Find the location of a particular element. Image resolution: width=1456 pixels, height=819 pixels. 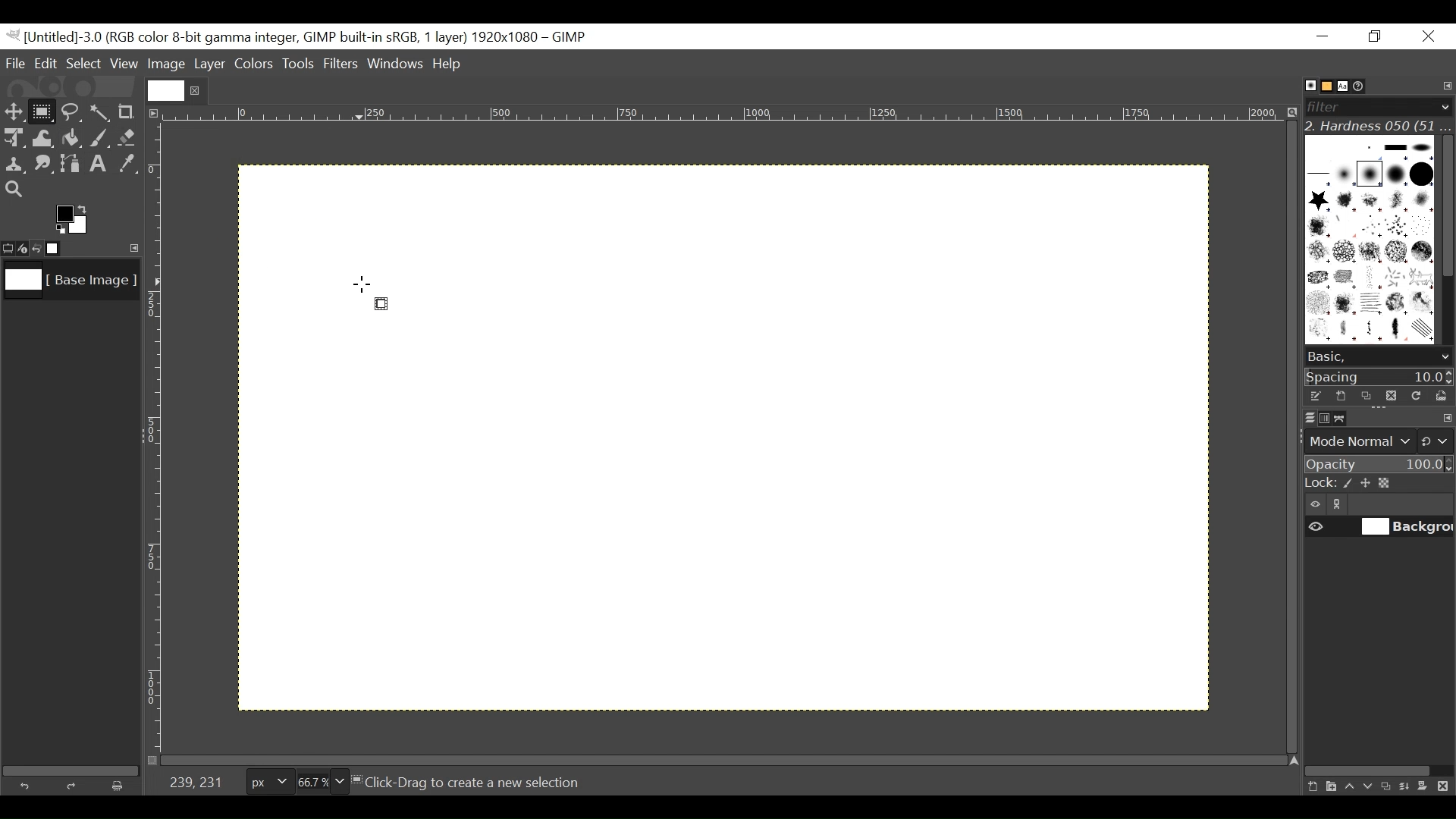

Gride is located at coordinates (795, 516).